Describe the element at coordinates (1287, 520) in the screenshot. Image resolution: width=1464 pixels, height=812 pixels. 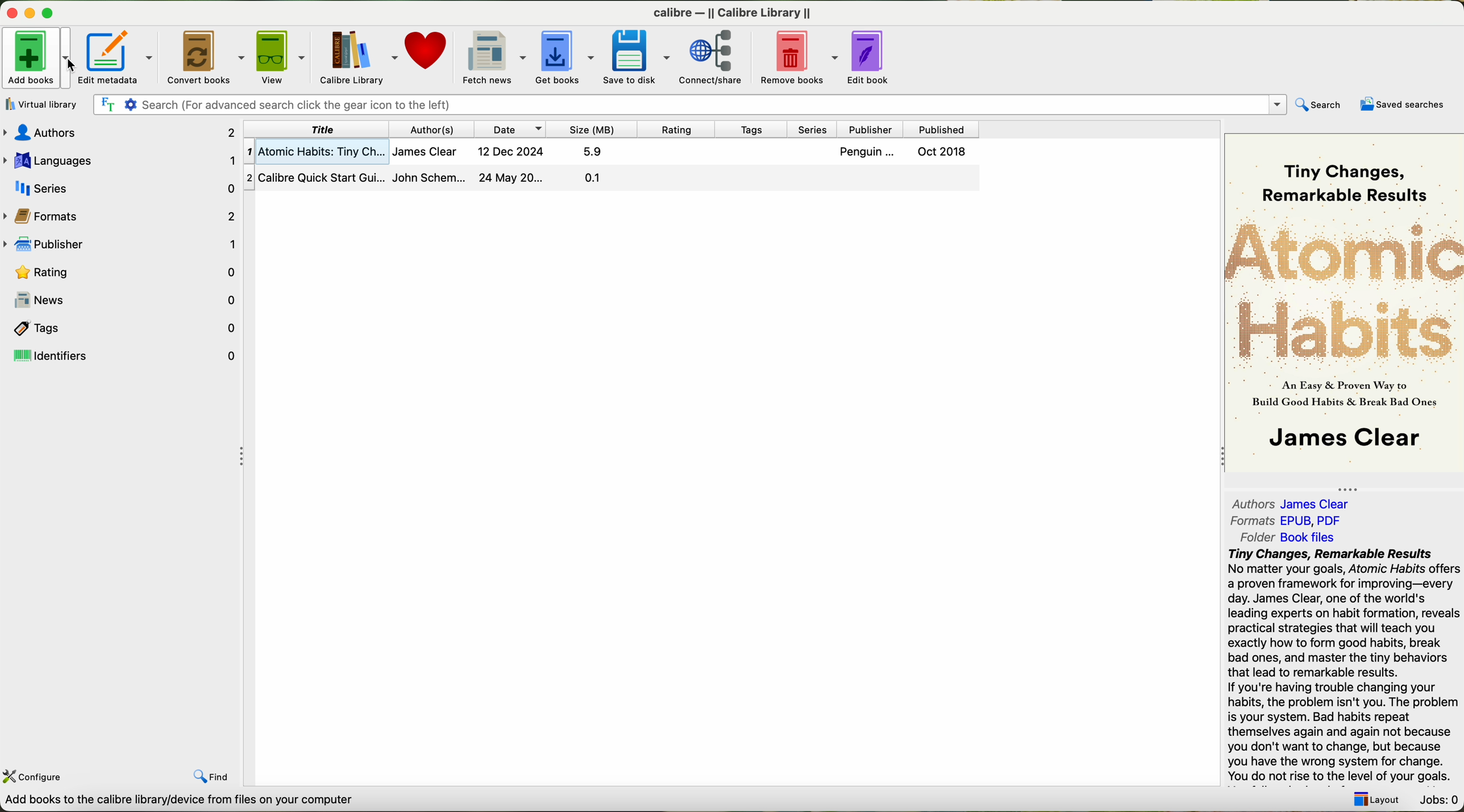
I see `formats` at that location.